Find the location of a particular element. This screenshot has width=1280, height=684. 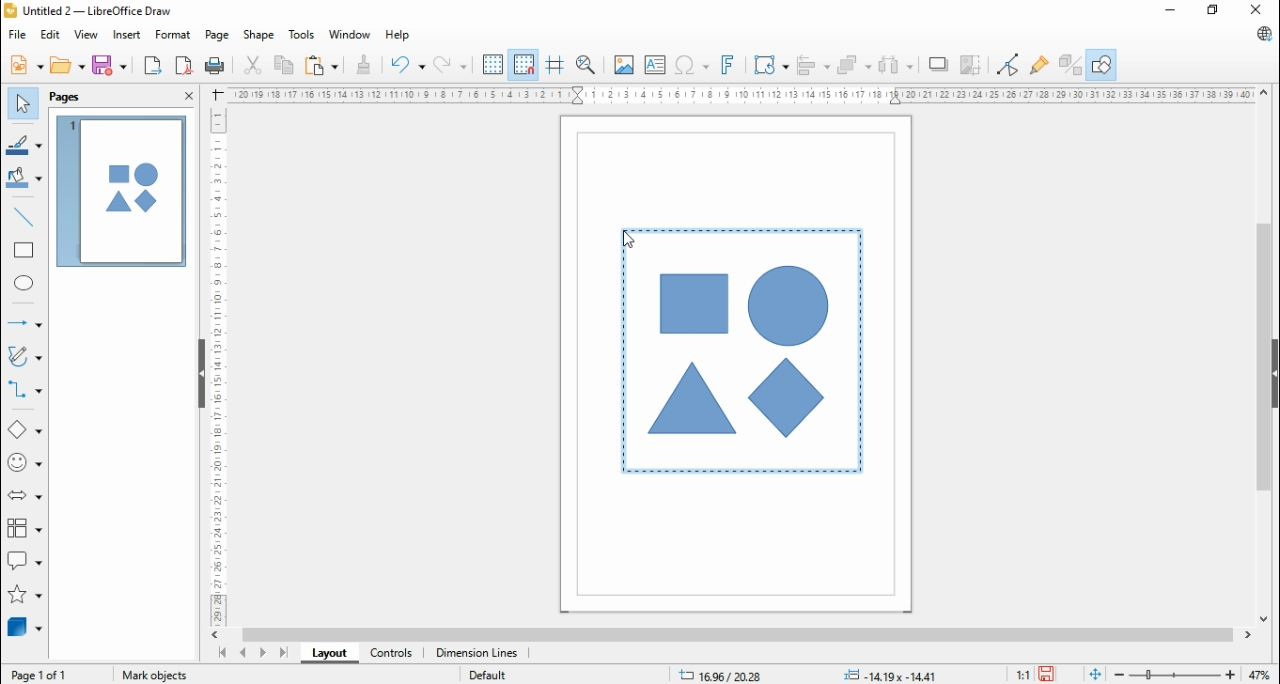

clone formattings is located at coordinates (363, 65).